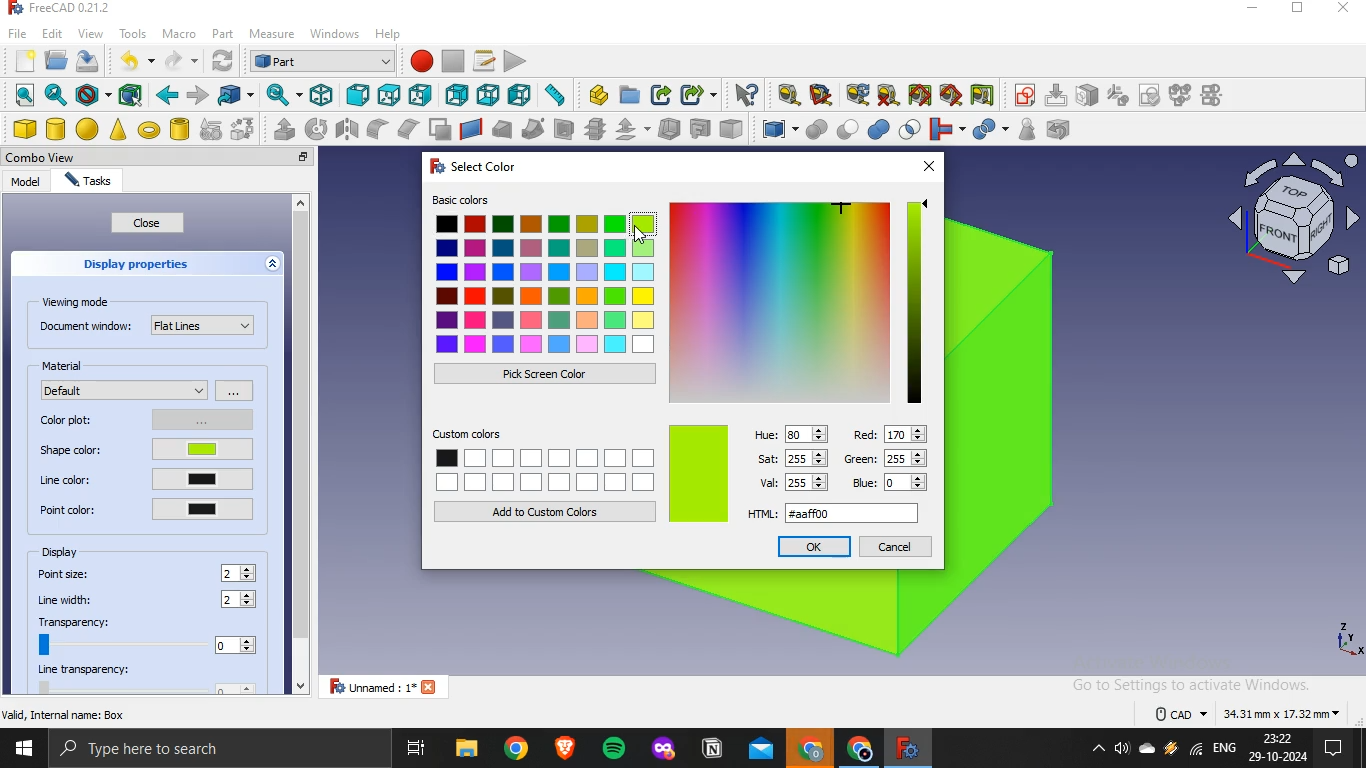 The image size is (1366, 768). Describe the element at coordinates (148, 223) in the screenshot. I see `close` at that location.